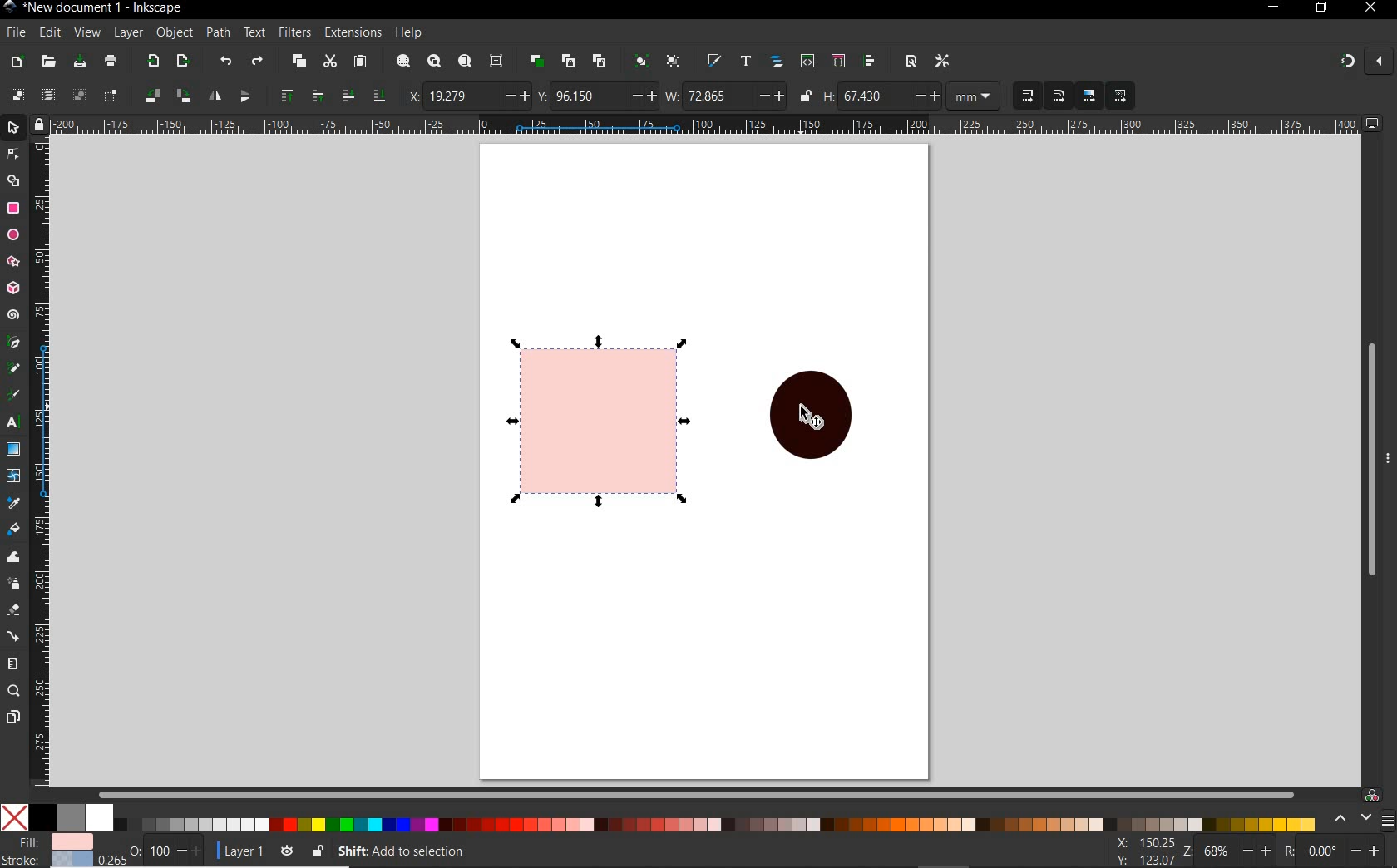  Describe the element at coordinates (496, 61) in the screenshot. I see `zoom center page` at that location.